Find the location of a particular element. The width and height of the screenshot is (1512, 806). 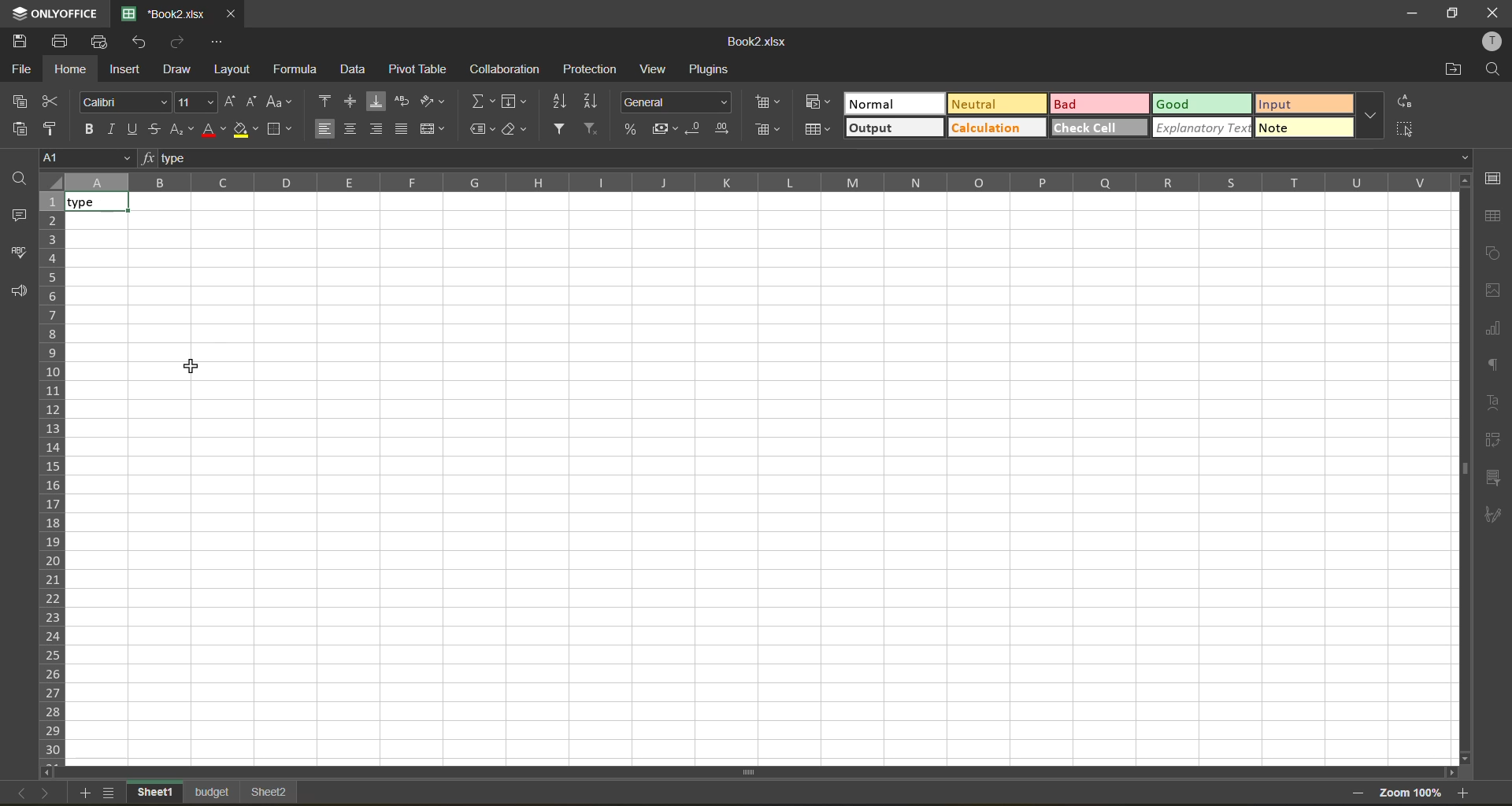

save is located at coordinates (18, 43).